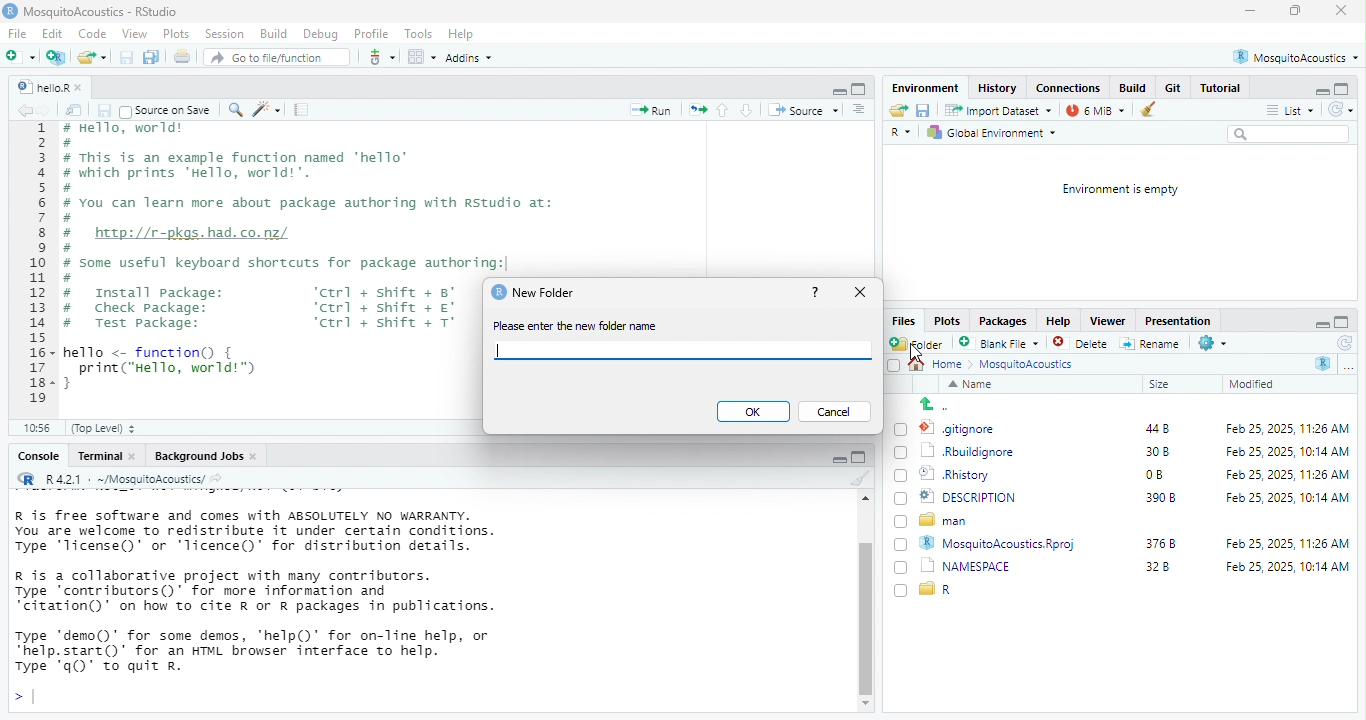 This screenshot has width=1366, height=720. I want to click on Help, so click(462, 35).